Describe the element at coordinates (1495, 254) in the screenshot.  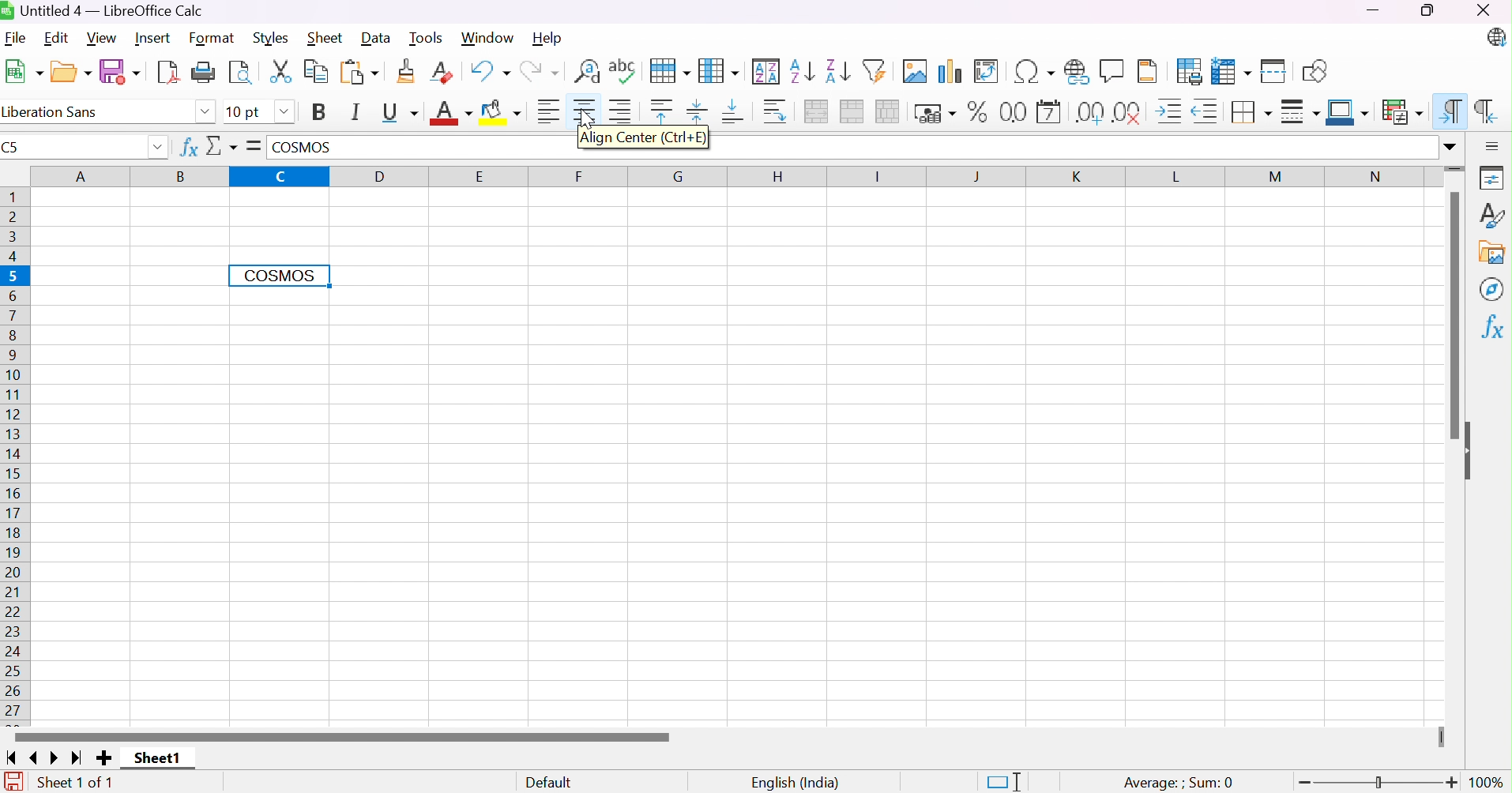
I see `Gallery` at that location.